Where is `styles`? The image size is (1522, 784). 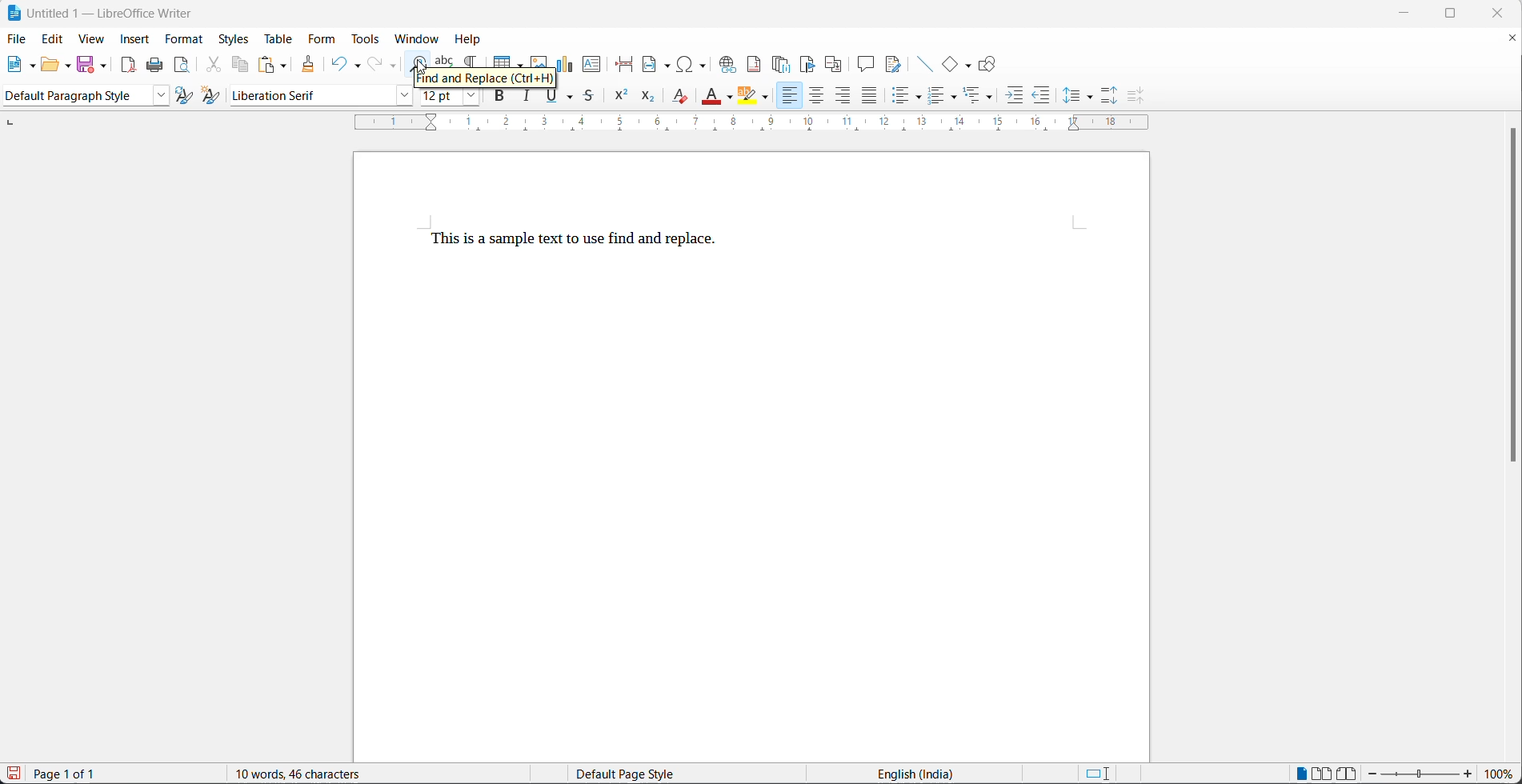 styles is located at coordinates (234, 38).